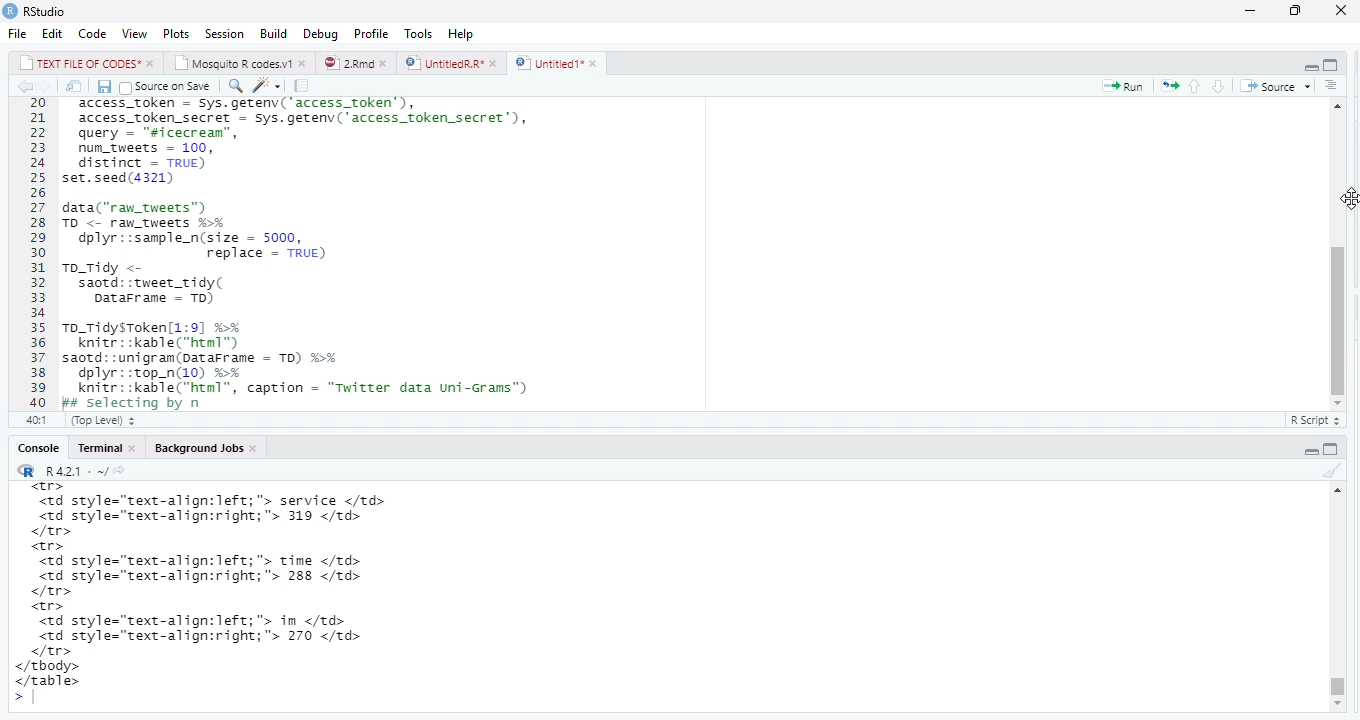 This screenshot has width=1360, height=720. Describe the element at coordinates (237, 85) in the screenshot. I see `find replace` at that location.